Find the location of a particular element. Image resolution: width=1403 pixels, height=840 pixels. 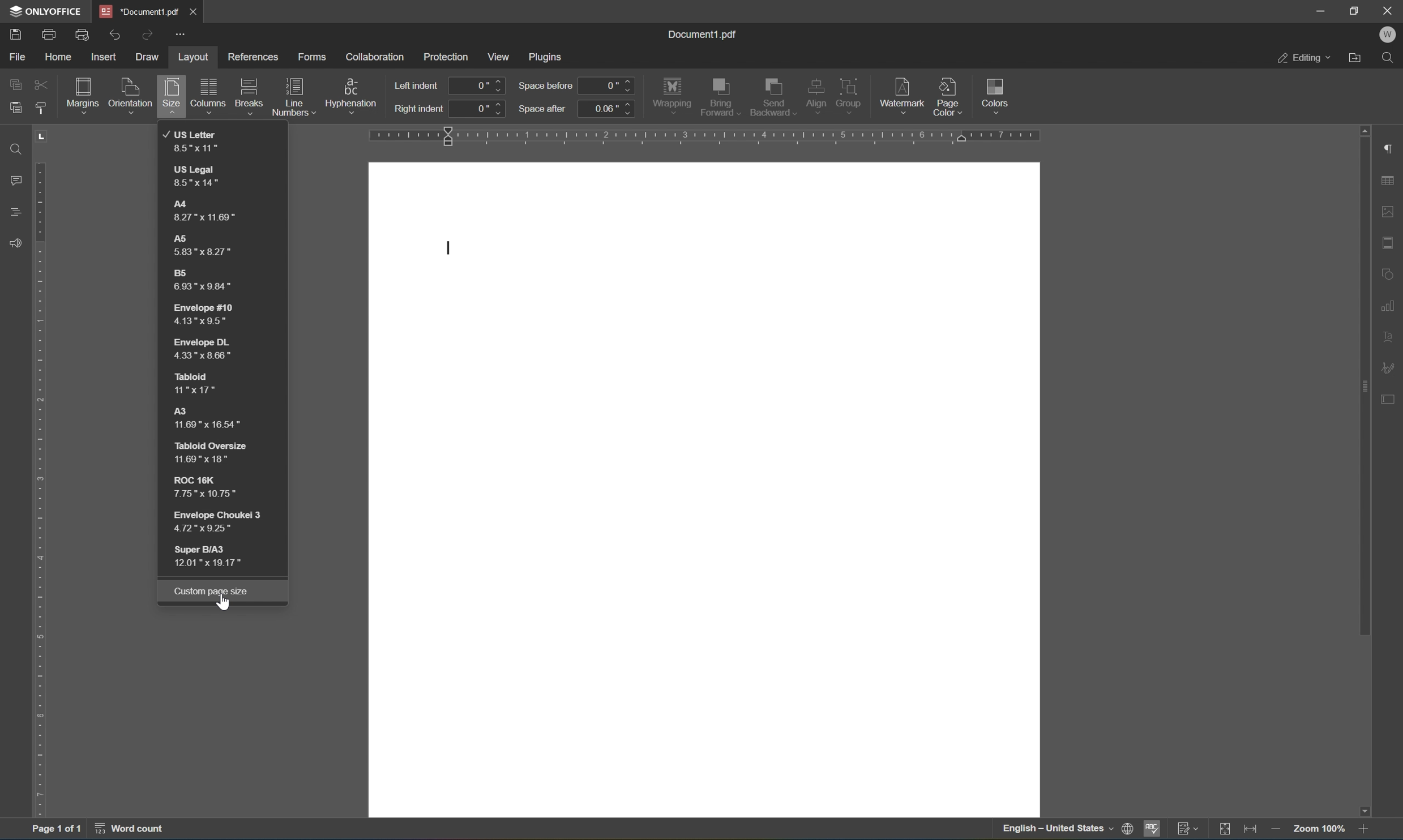

draw is located at coordinates (150, 57).